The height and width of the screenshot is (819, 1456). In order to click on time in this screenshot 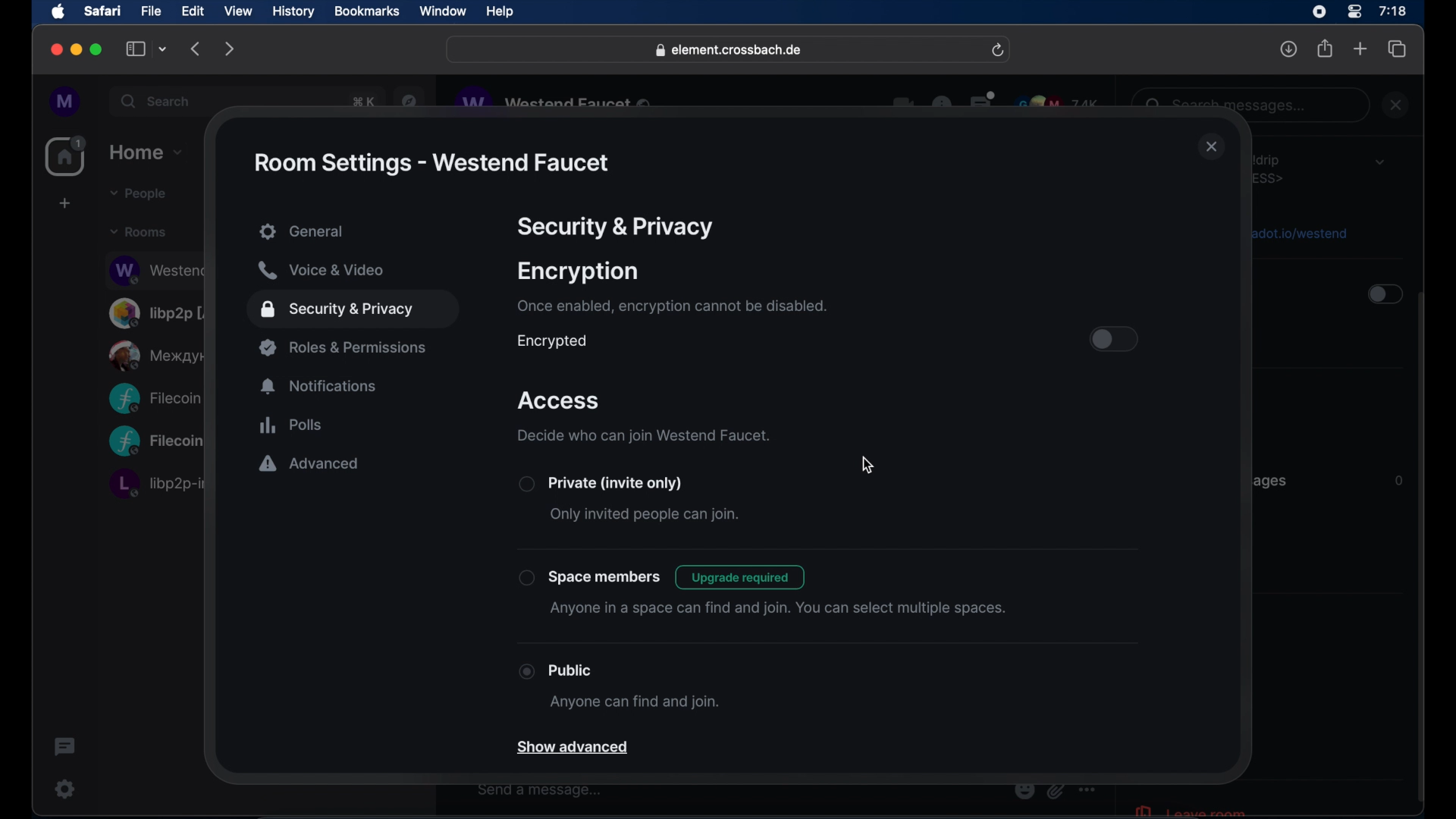, I will do `click(1392, 11)`.